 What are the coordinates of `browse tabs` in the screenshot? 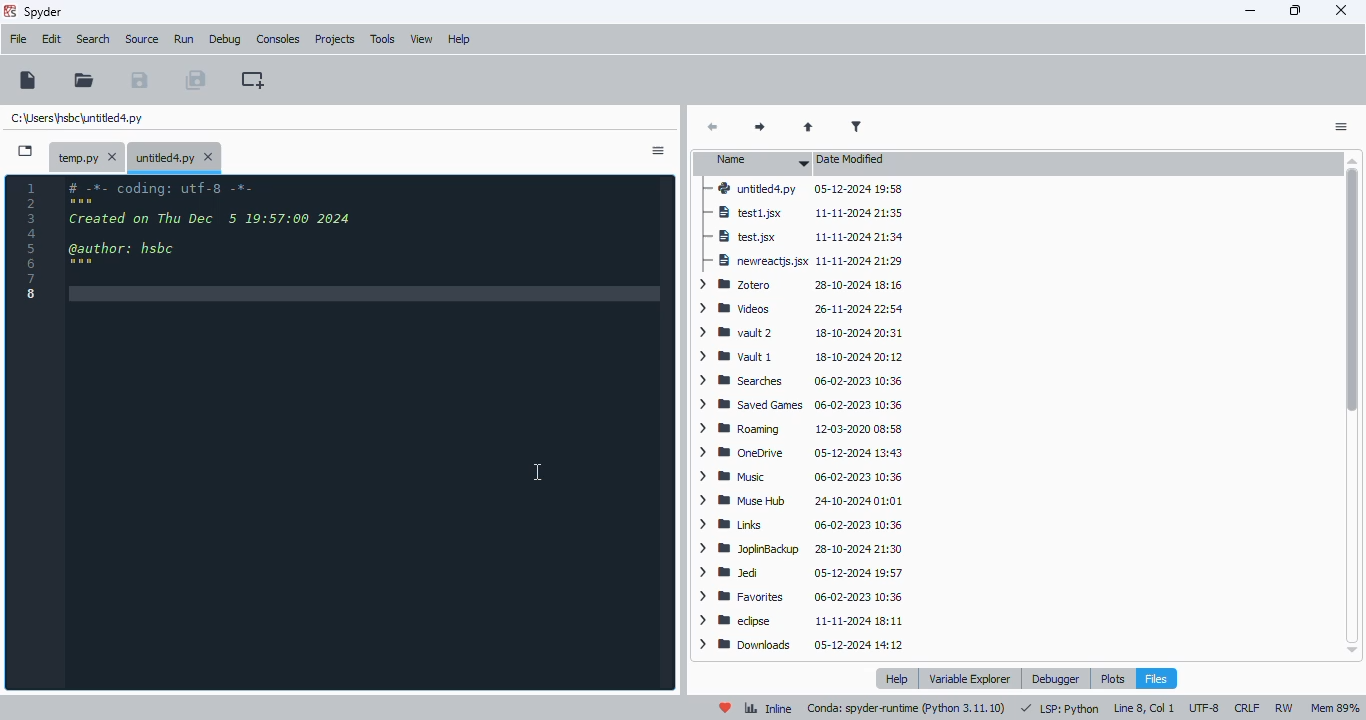 It's located at (25, 152).